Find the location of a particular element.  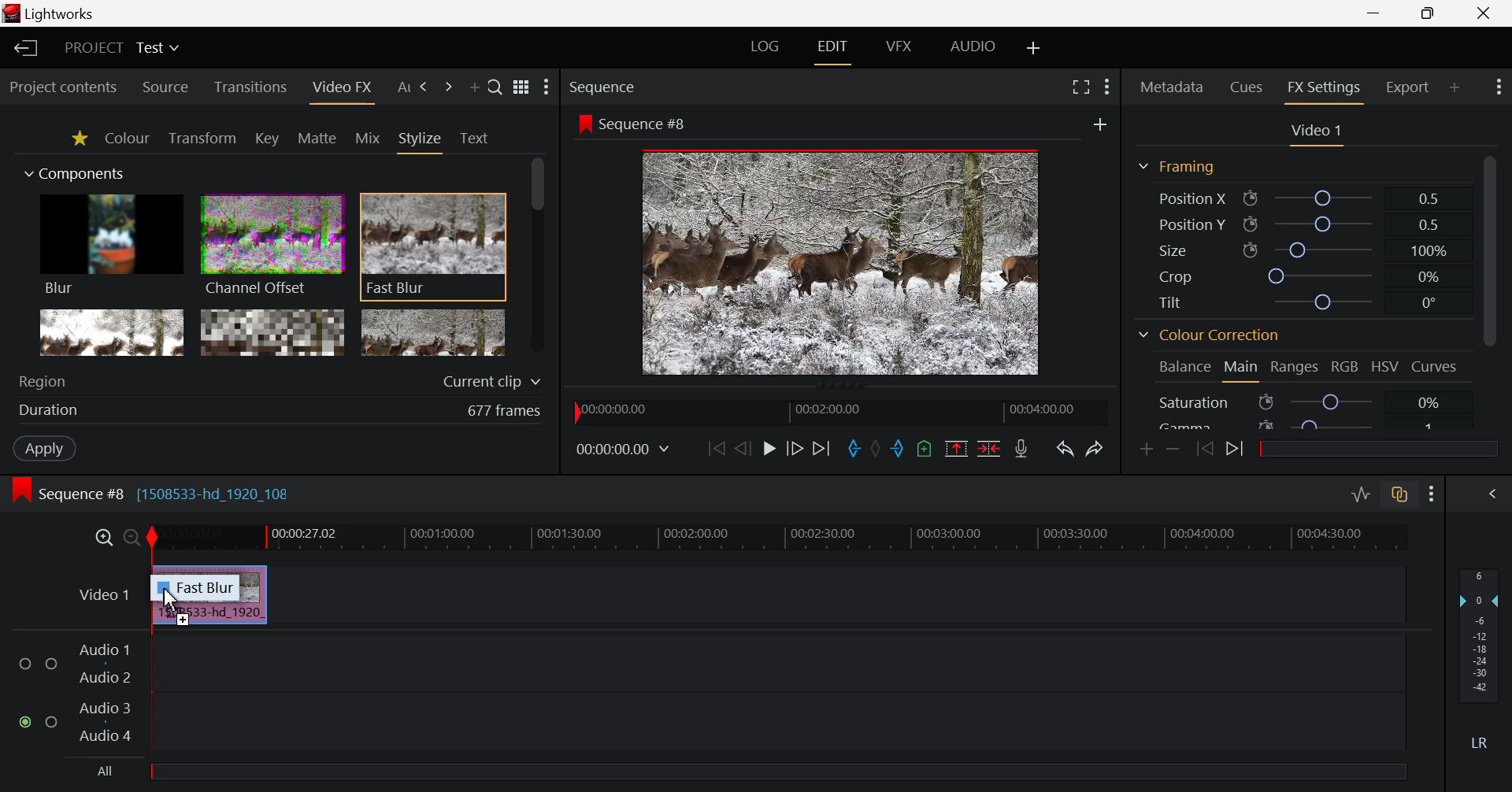

Fast Blur is located at coordinates (433, 242).